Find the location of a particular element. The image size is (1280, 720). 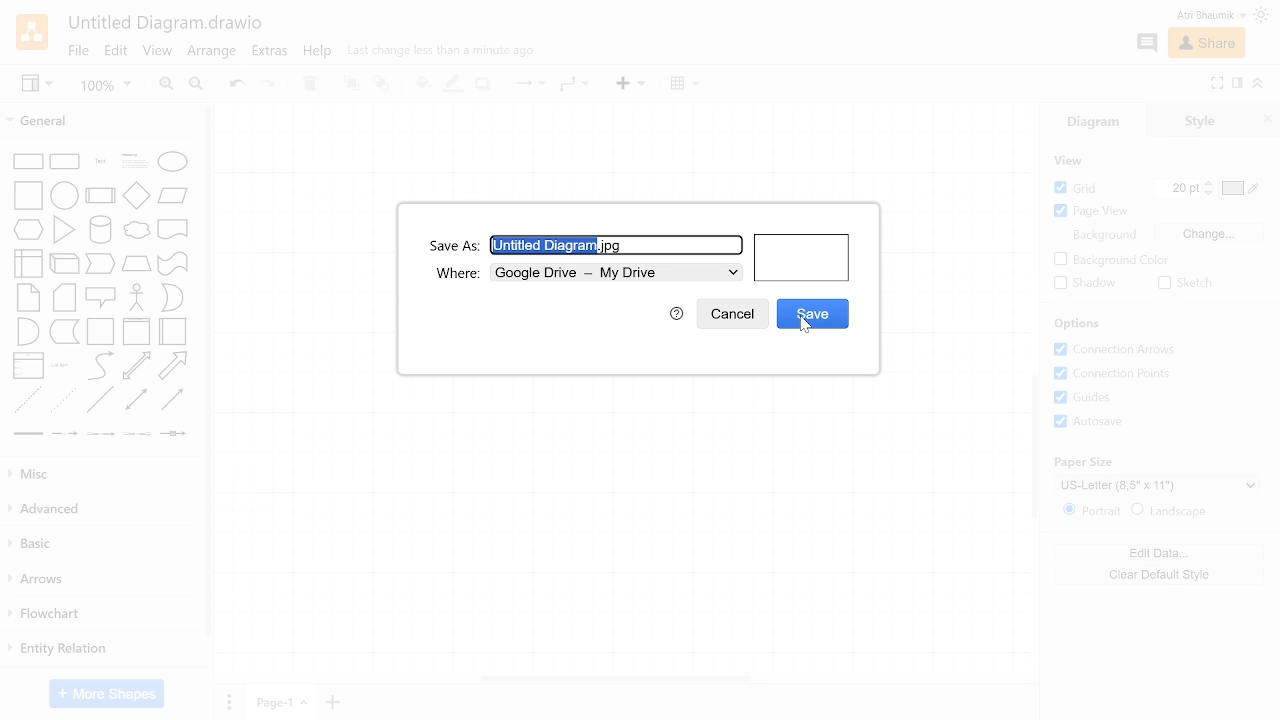

to back is located at coordinates (381, 86).